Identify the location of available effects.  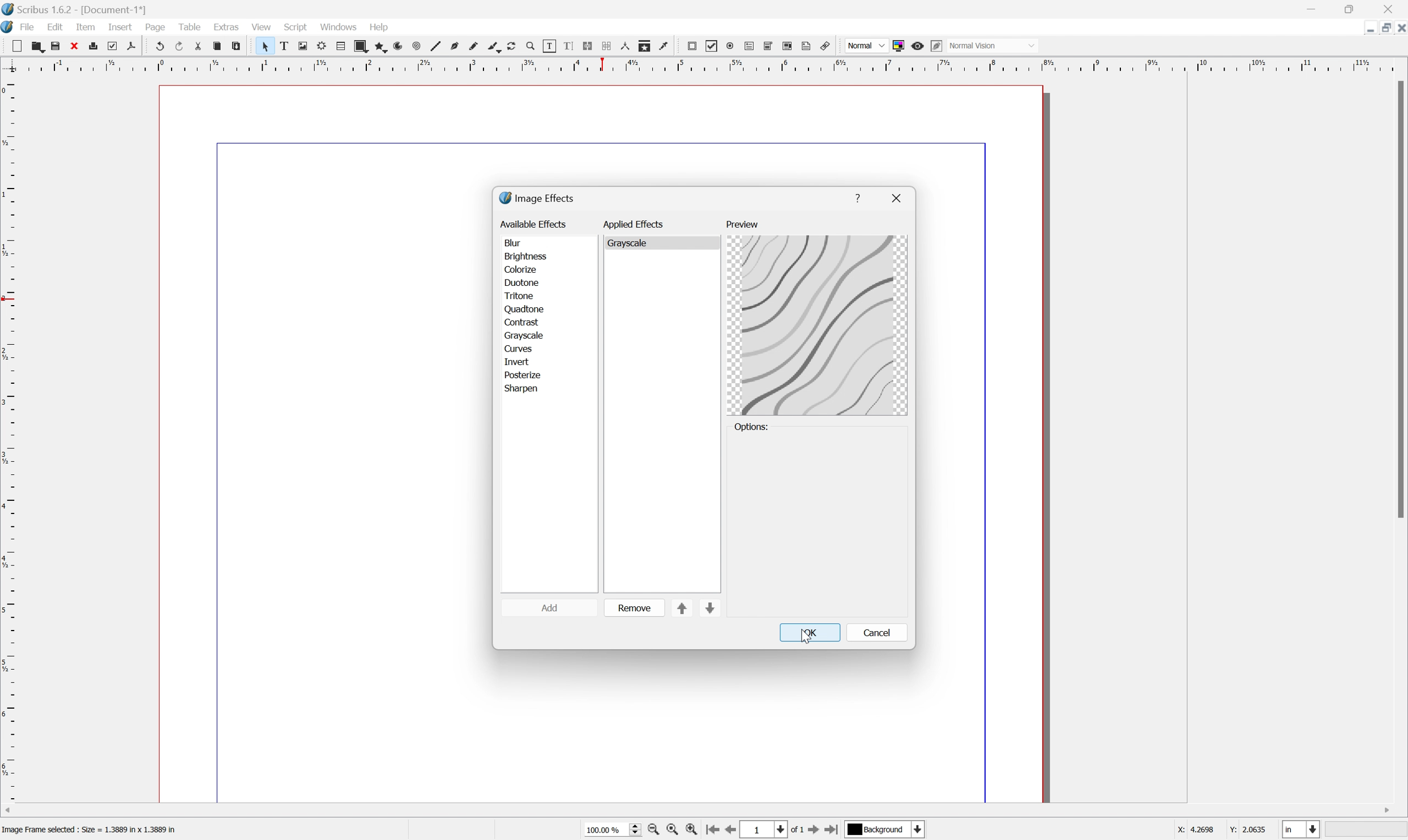
(534, 224).